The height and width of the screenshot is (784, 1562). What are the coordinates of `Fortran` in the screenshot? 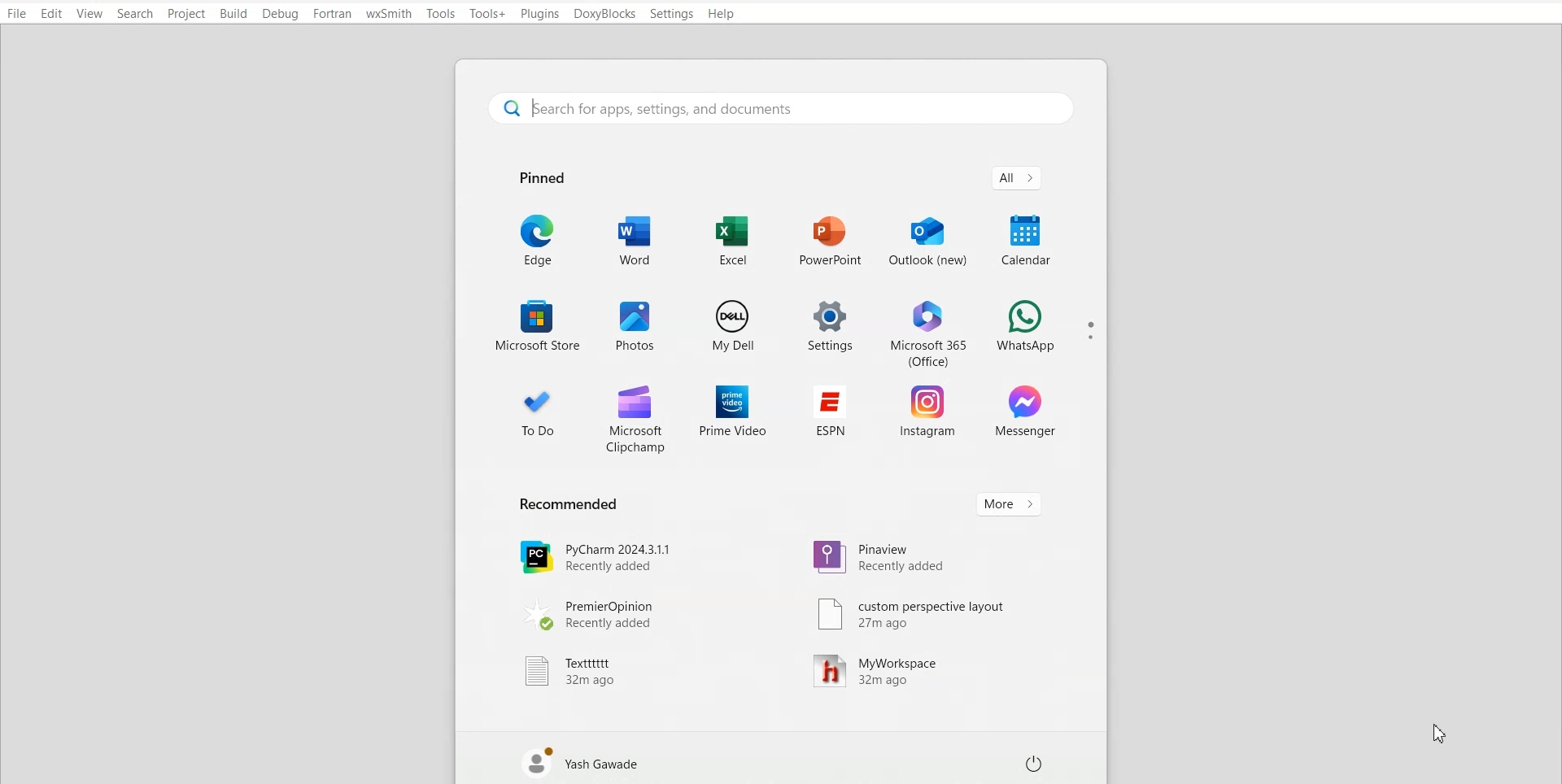 It's located at (334, 14).